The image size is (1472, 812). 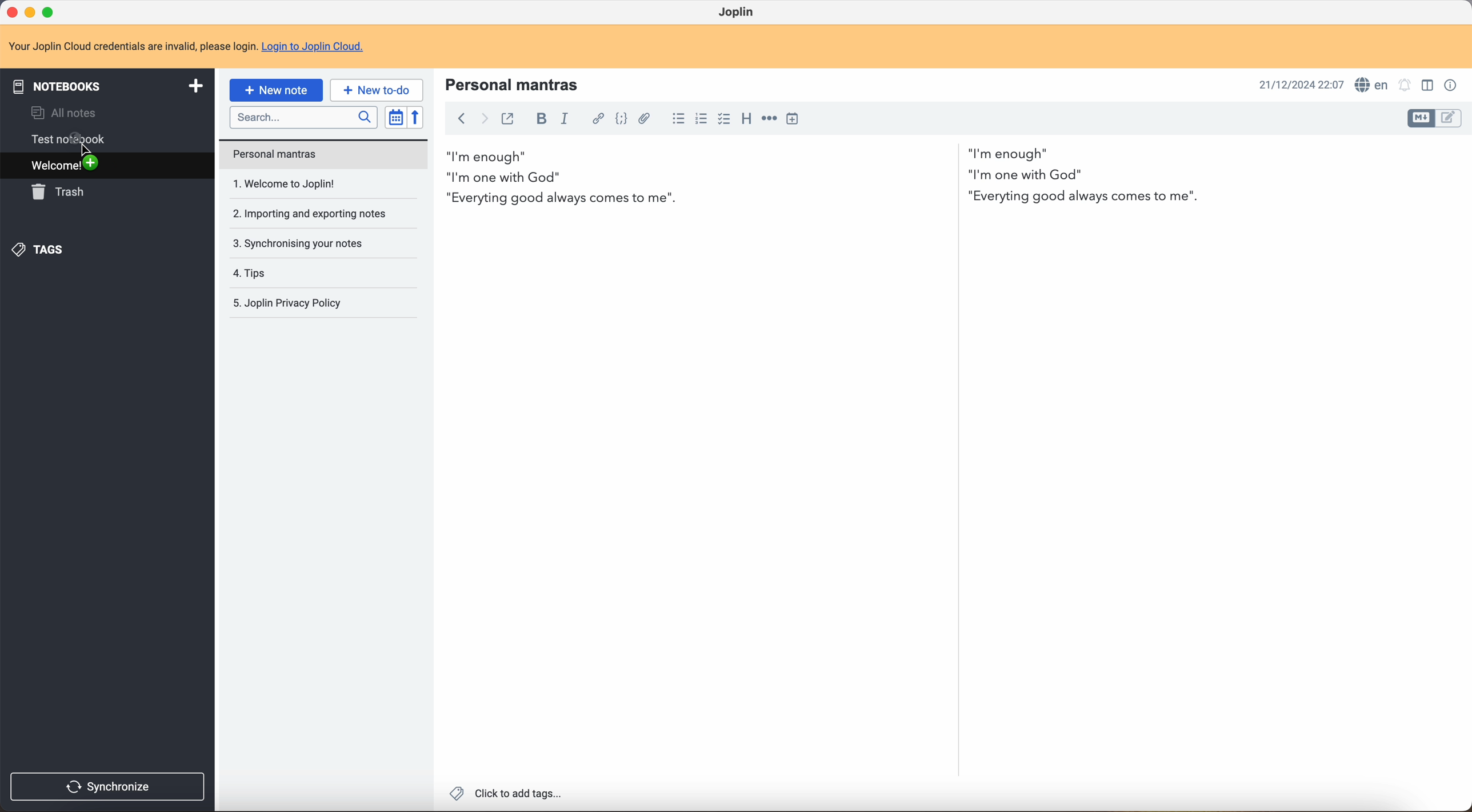 I want to click on note, so click(x=129, y=46).